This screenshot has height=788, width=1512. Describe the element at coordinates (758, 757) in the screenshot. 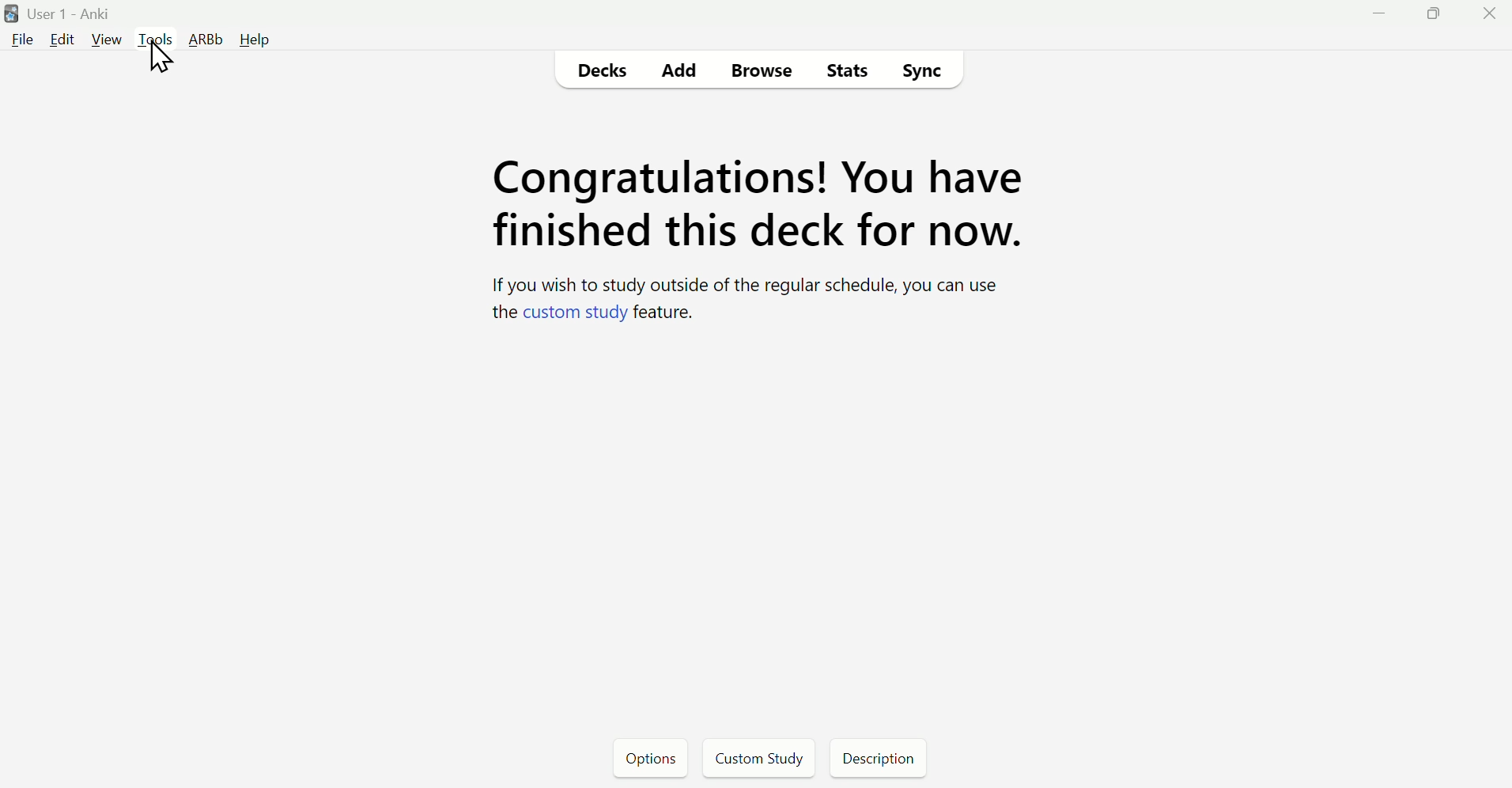

I see `Custom Study` at that location.